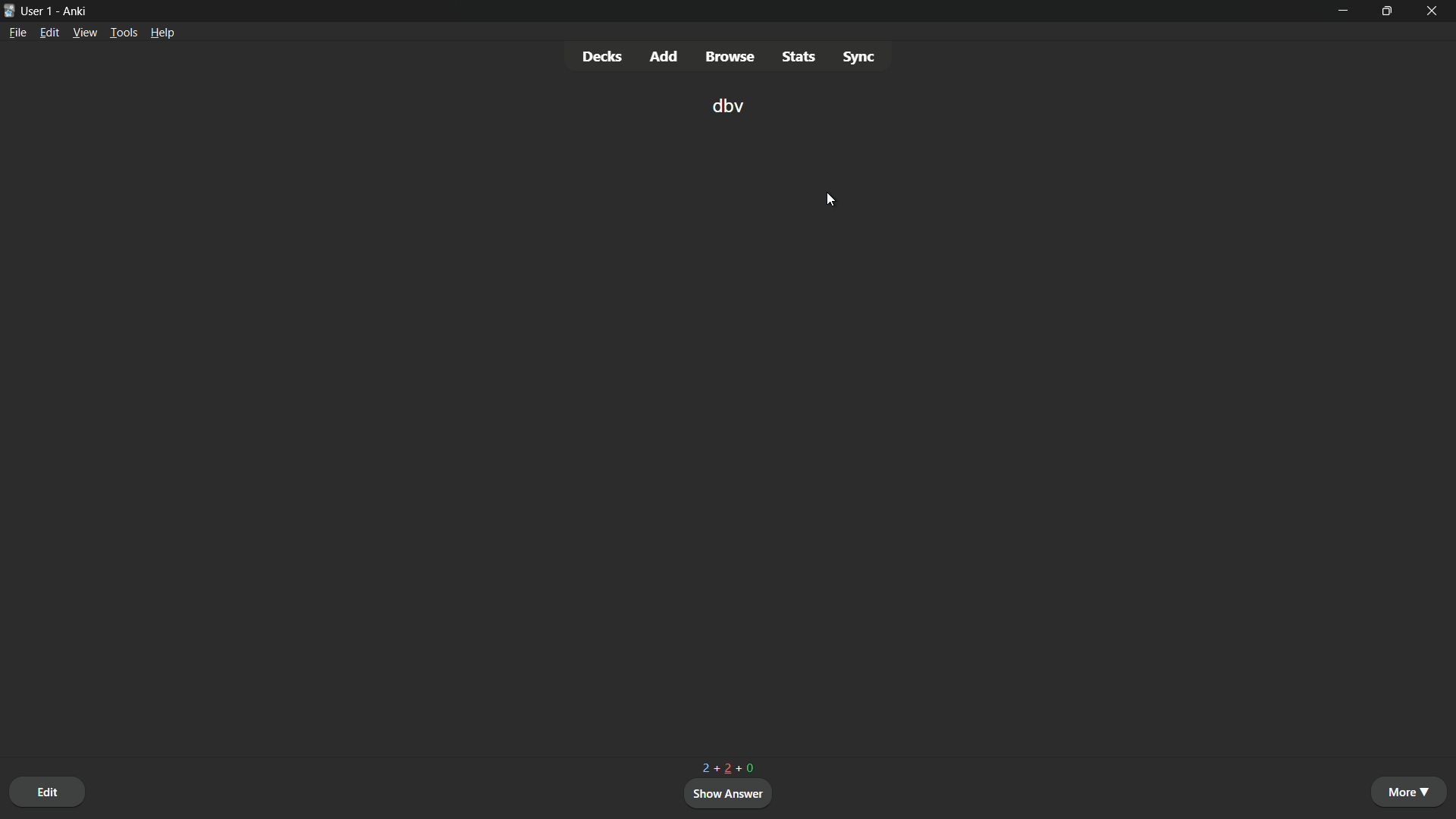 Image resolution: width=1456 pixels, height=819 pixels. I want to click on more, so click(1411, 792).